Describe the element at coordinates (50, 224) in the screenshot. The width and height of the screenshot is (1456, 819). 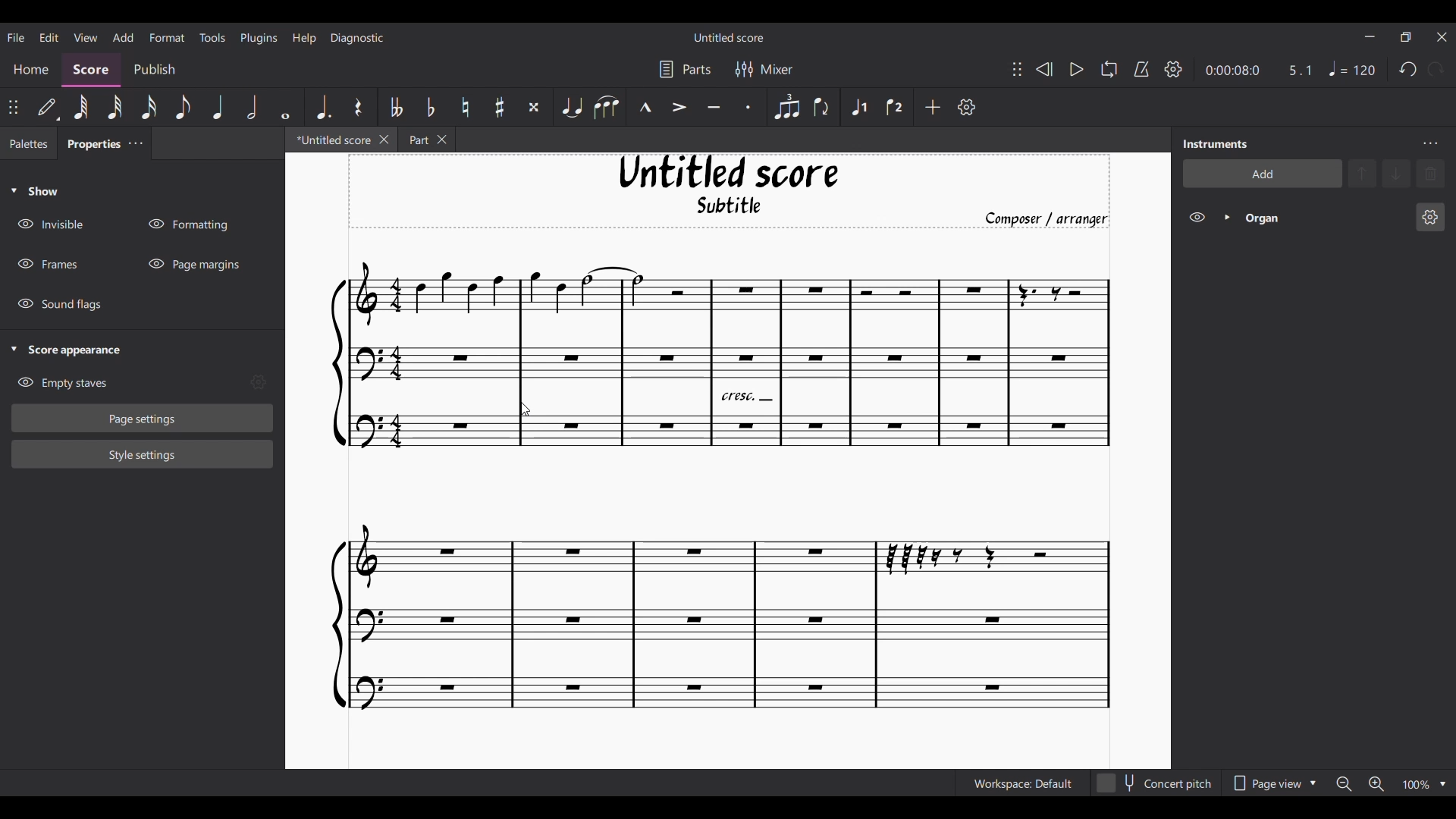
I see `Hide Invisible` at that location.